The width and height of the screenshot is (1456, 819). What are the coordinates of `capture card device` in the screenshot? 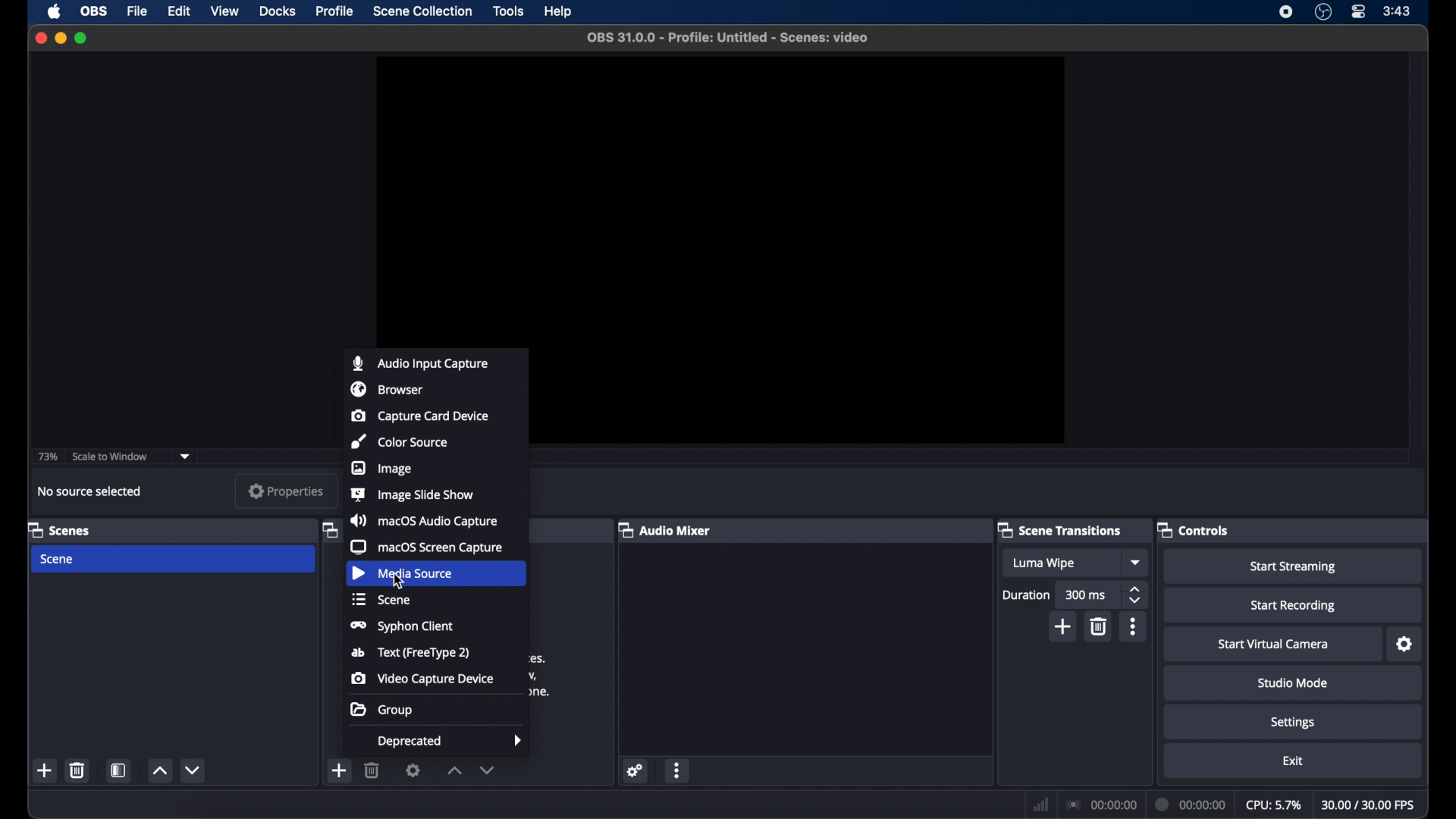 It's located at (420, 415).